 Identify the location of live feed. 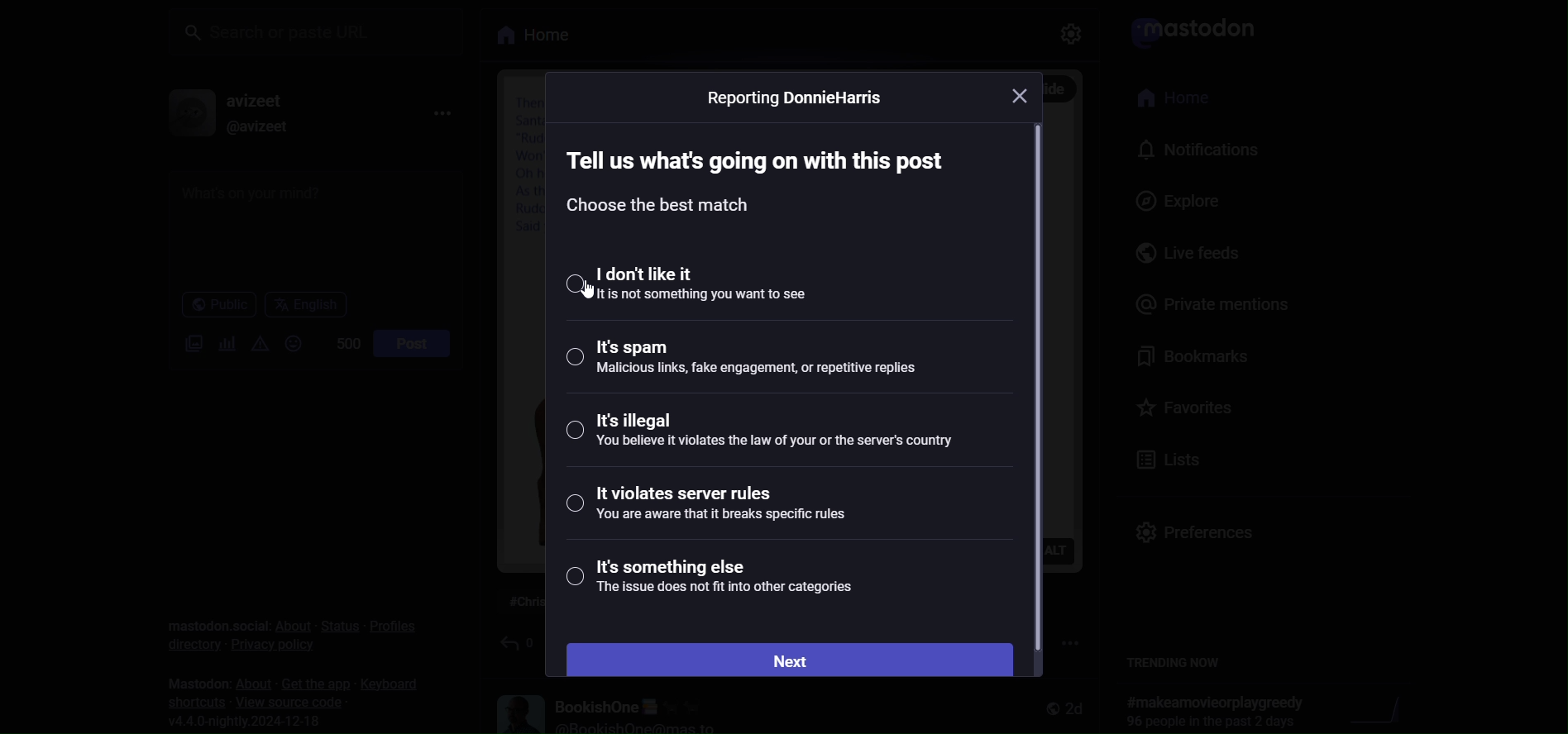
(1174, 254).